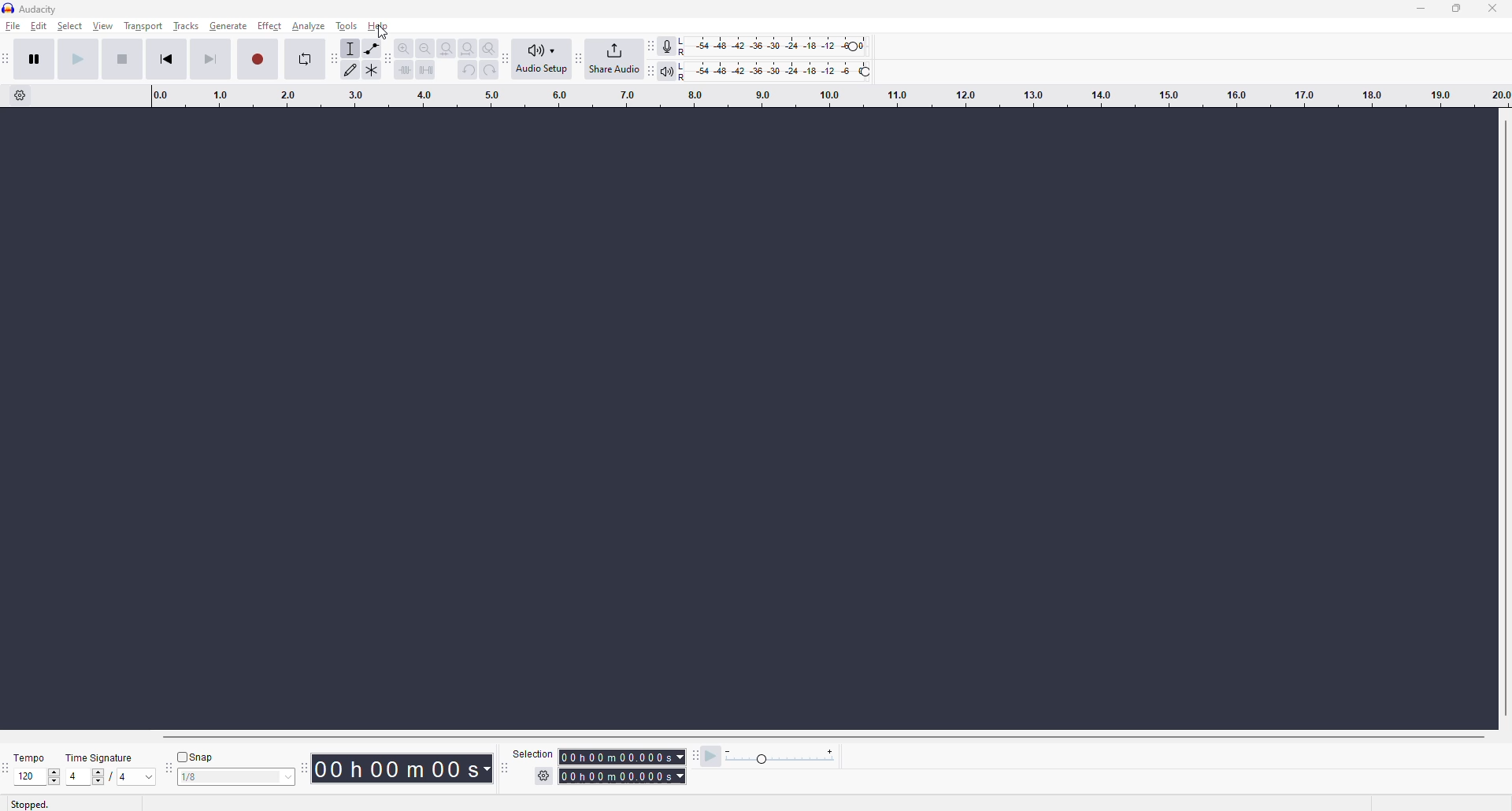 The height and width of the screenshot is (811, 1512). I want to click on Vertical Scrollbar, so click(1503, 421).